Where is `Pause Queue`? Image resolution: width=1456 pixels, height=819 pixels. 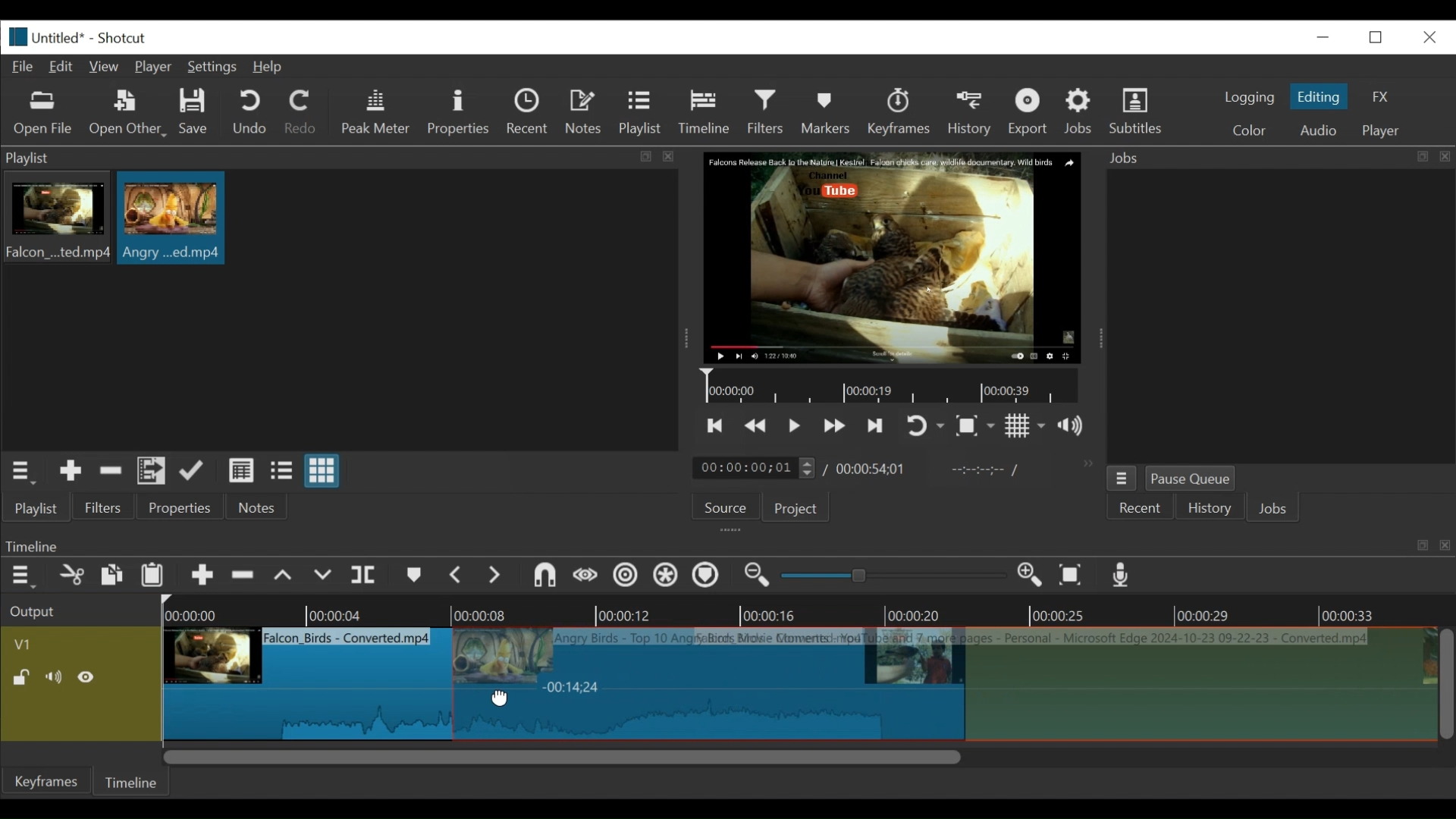
Pause Queue is located at coordinates (1191, 482).